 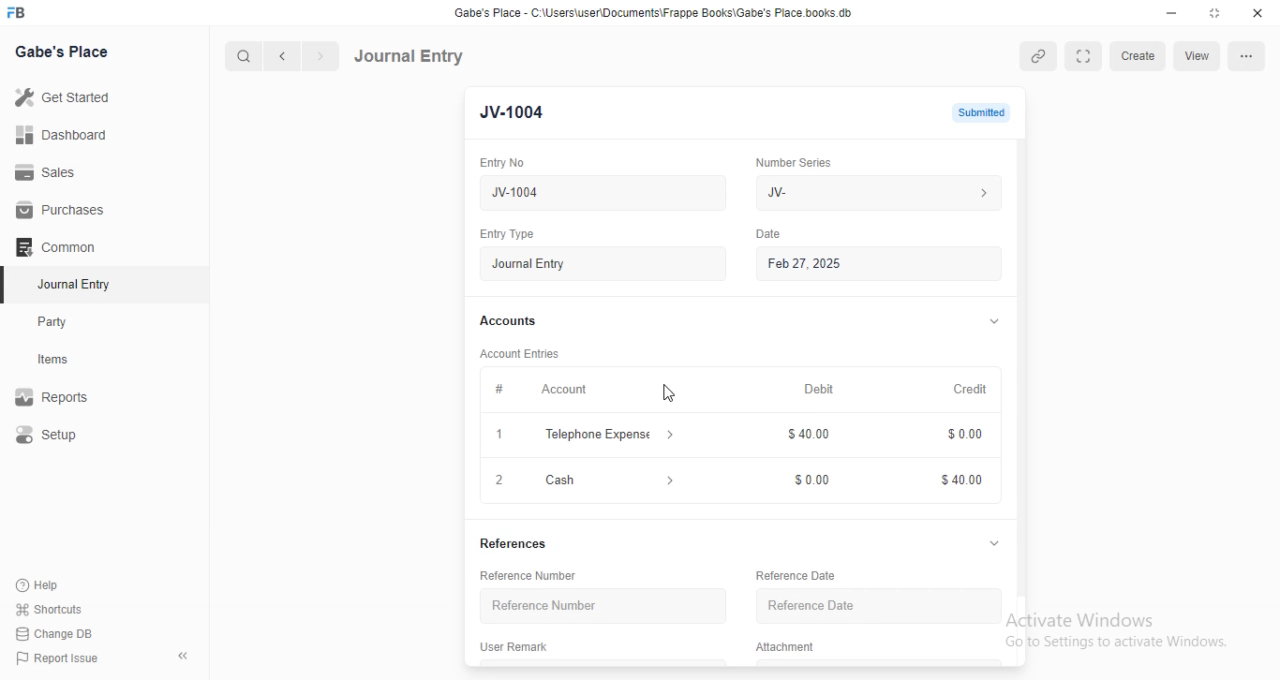 I want to click on New Journal Entry 02, so click(x=605, y=193).